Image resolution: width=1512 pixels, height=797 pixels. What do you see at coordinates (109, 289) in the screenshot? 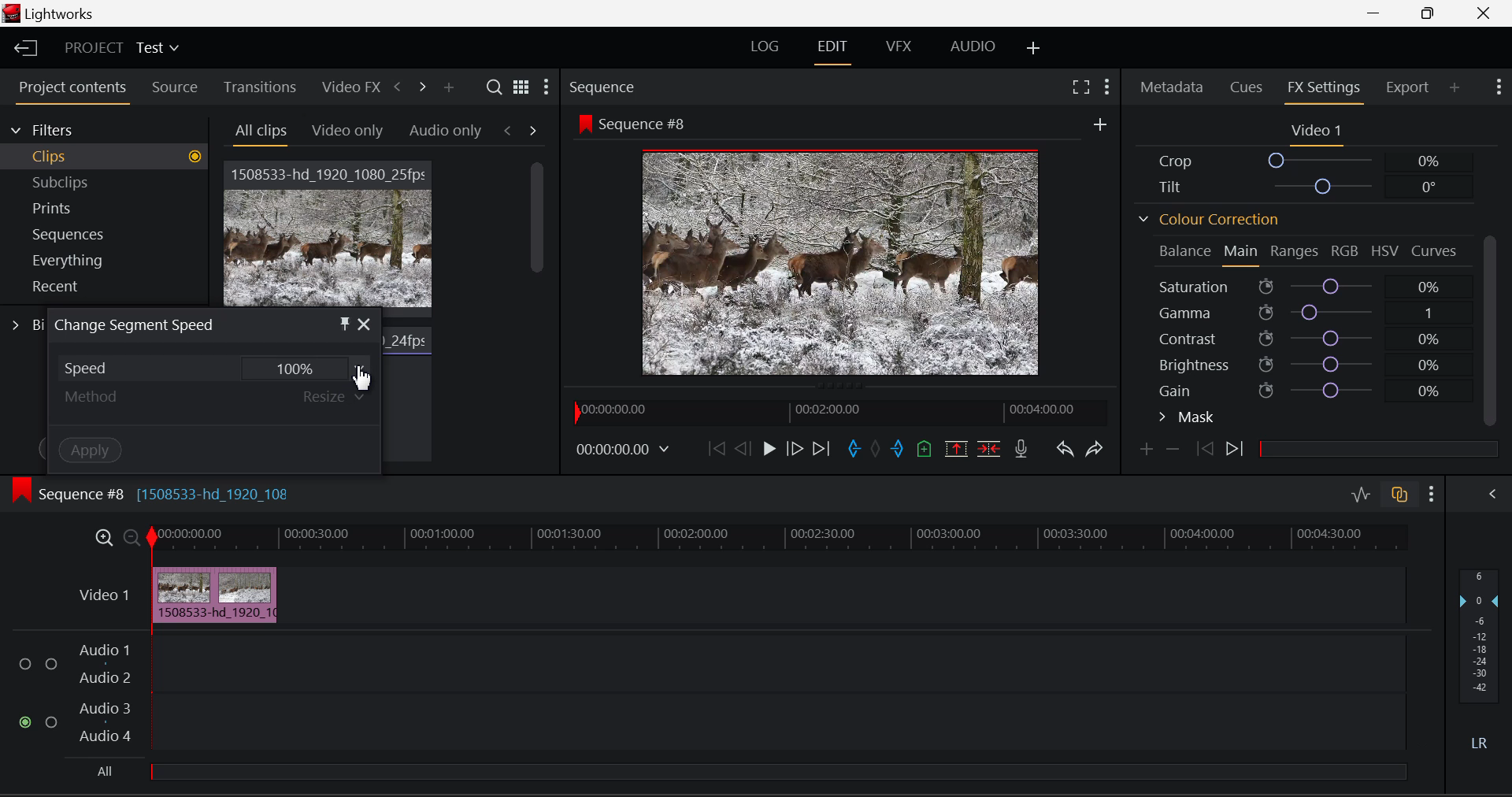
I see `Recent` at bounding box center [109, 289].